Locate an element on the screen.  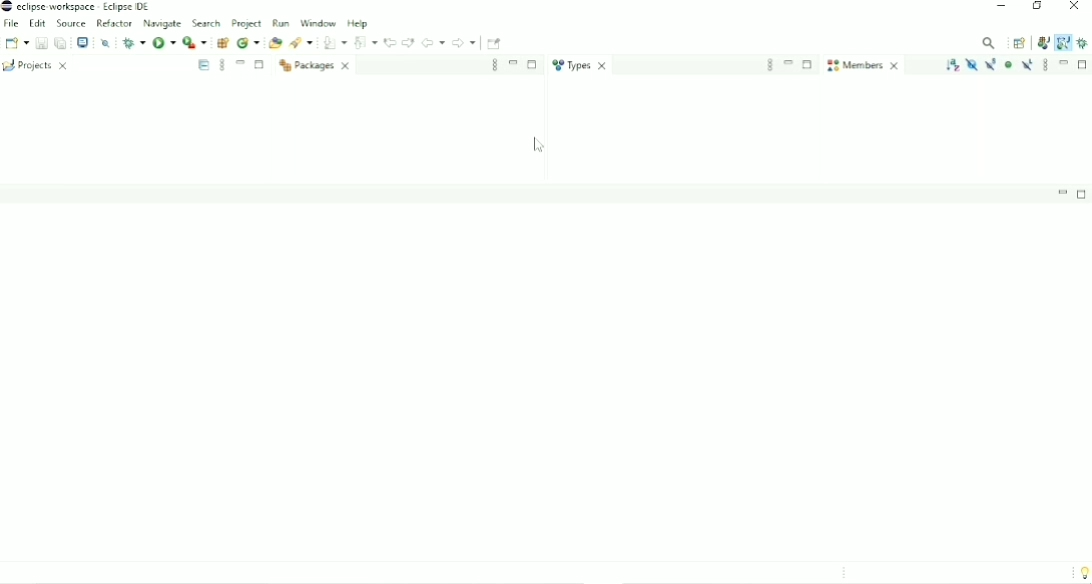
Save all is located at coordinates (60, 42).